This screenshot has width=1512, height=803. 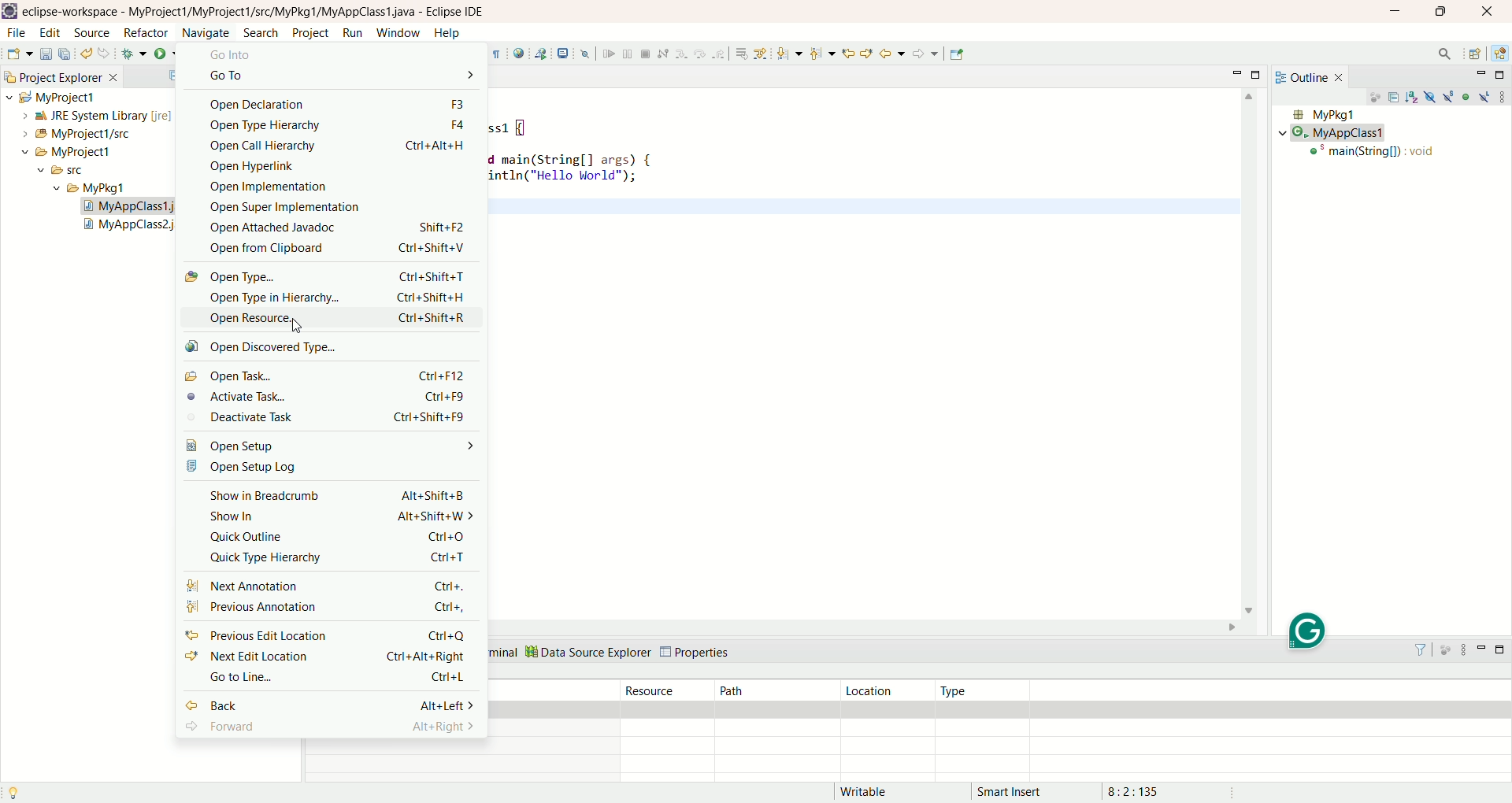 What do you see at coordinates (90, 116) in the screenshot?
I see `JRE system library [jre]` at bounding box center [90, 116].